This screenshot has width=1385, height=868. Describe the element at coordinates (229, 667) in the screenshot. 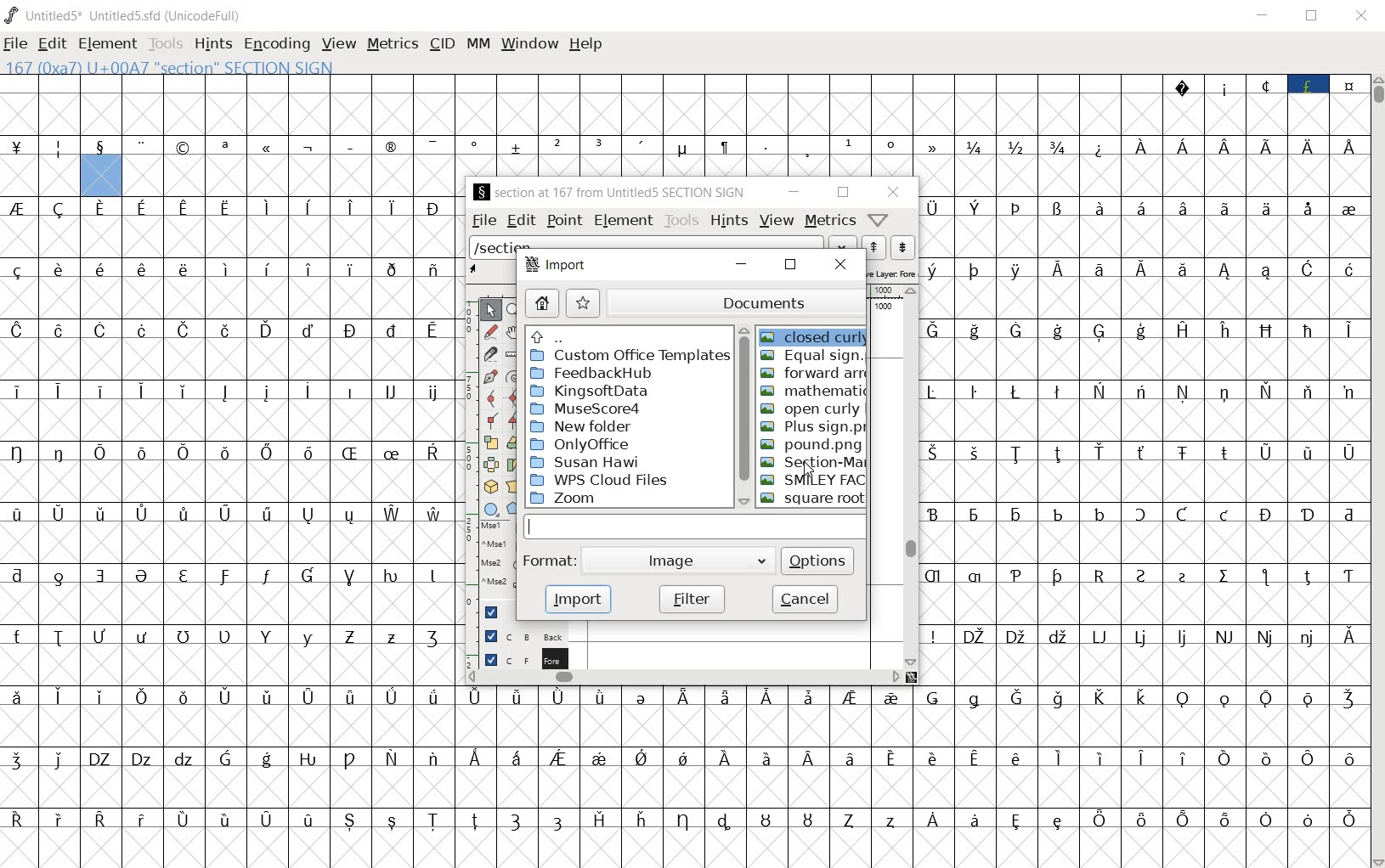

I see `empty cells` at that location.